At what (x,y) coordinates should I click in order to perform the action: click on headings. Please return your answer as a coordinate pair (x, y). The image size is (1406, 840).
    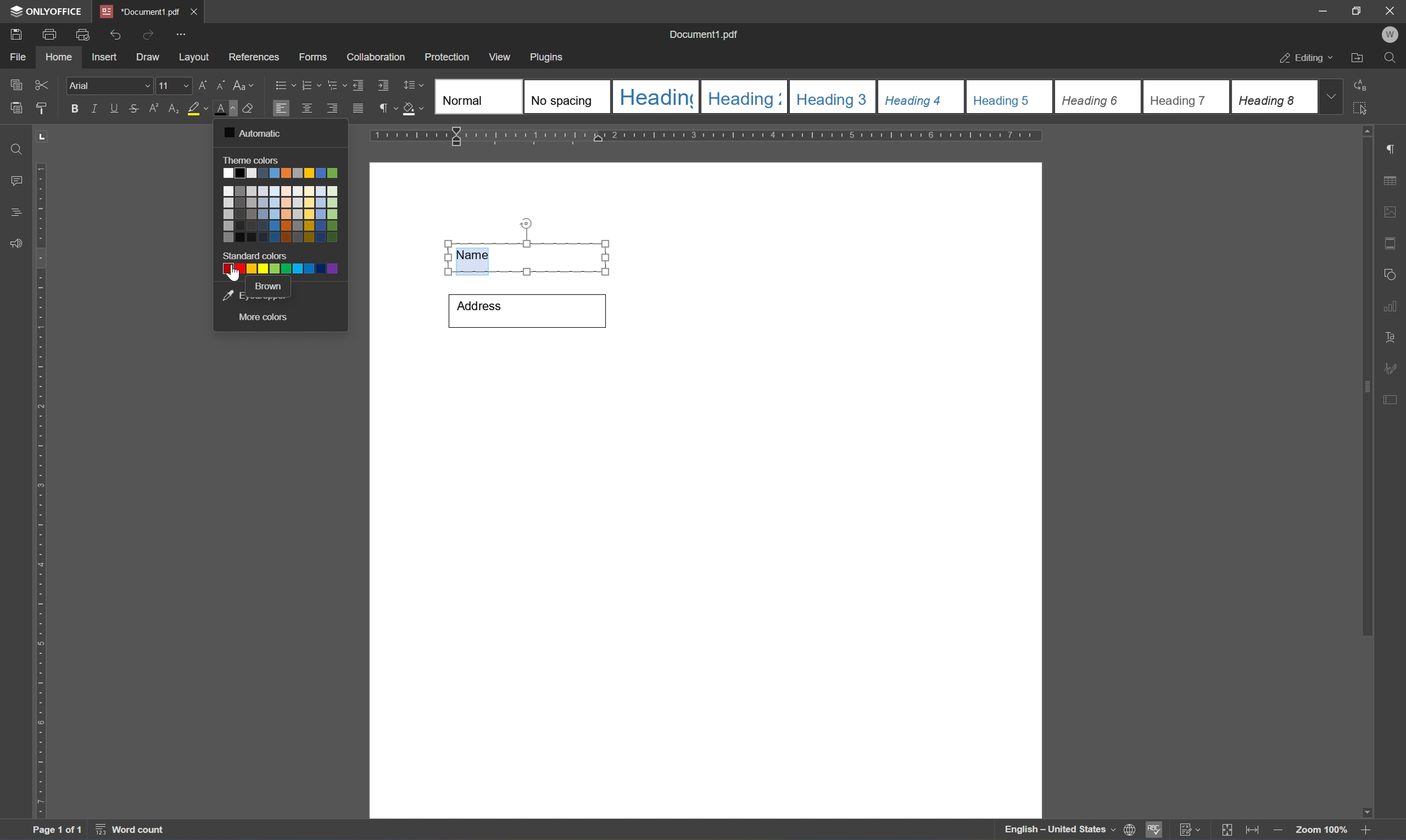
    Looking at the image, I should click on (18, 209).